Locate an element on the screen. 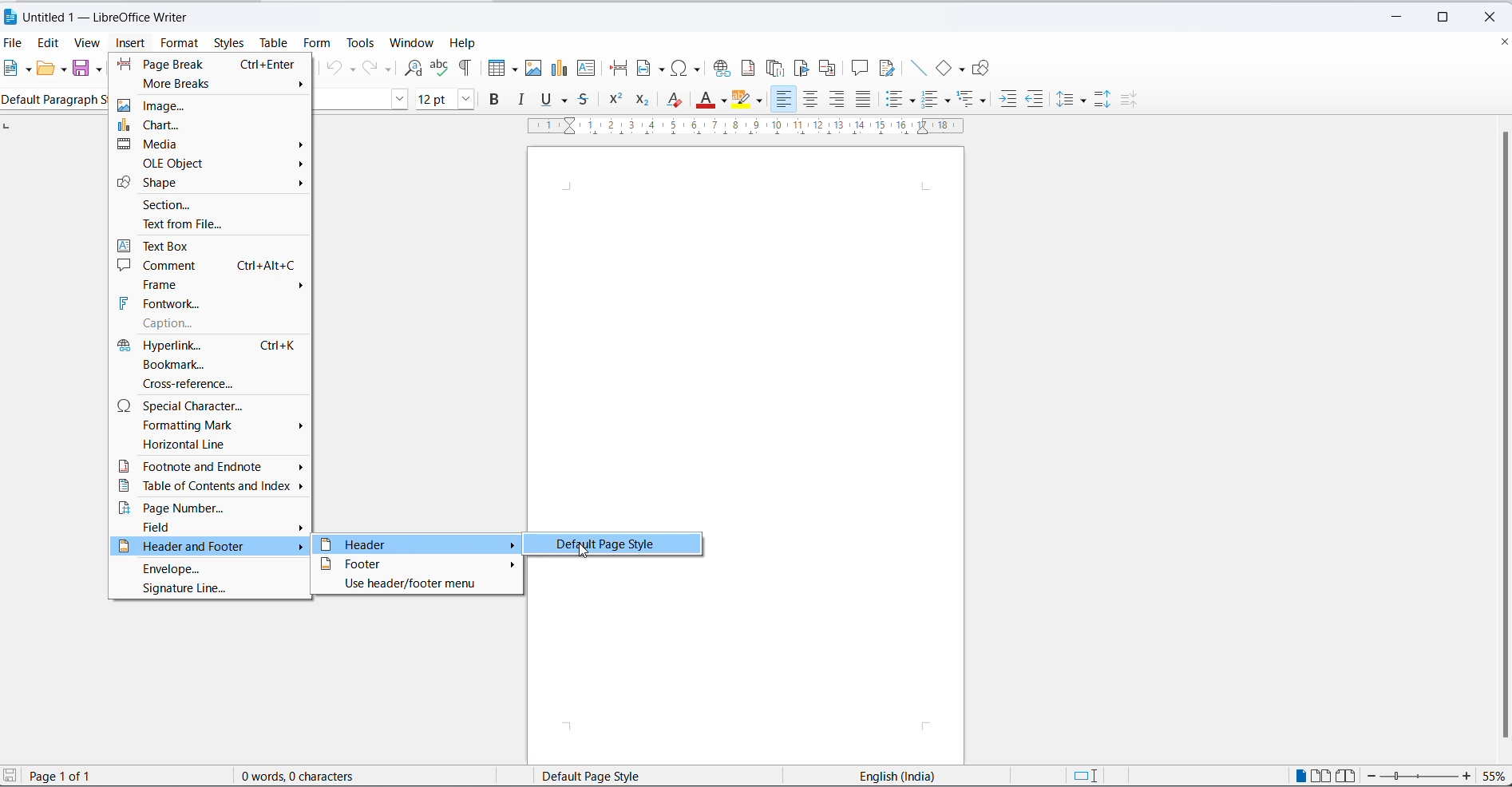  insert chart is located at coordinates (560, 69).